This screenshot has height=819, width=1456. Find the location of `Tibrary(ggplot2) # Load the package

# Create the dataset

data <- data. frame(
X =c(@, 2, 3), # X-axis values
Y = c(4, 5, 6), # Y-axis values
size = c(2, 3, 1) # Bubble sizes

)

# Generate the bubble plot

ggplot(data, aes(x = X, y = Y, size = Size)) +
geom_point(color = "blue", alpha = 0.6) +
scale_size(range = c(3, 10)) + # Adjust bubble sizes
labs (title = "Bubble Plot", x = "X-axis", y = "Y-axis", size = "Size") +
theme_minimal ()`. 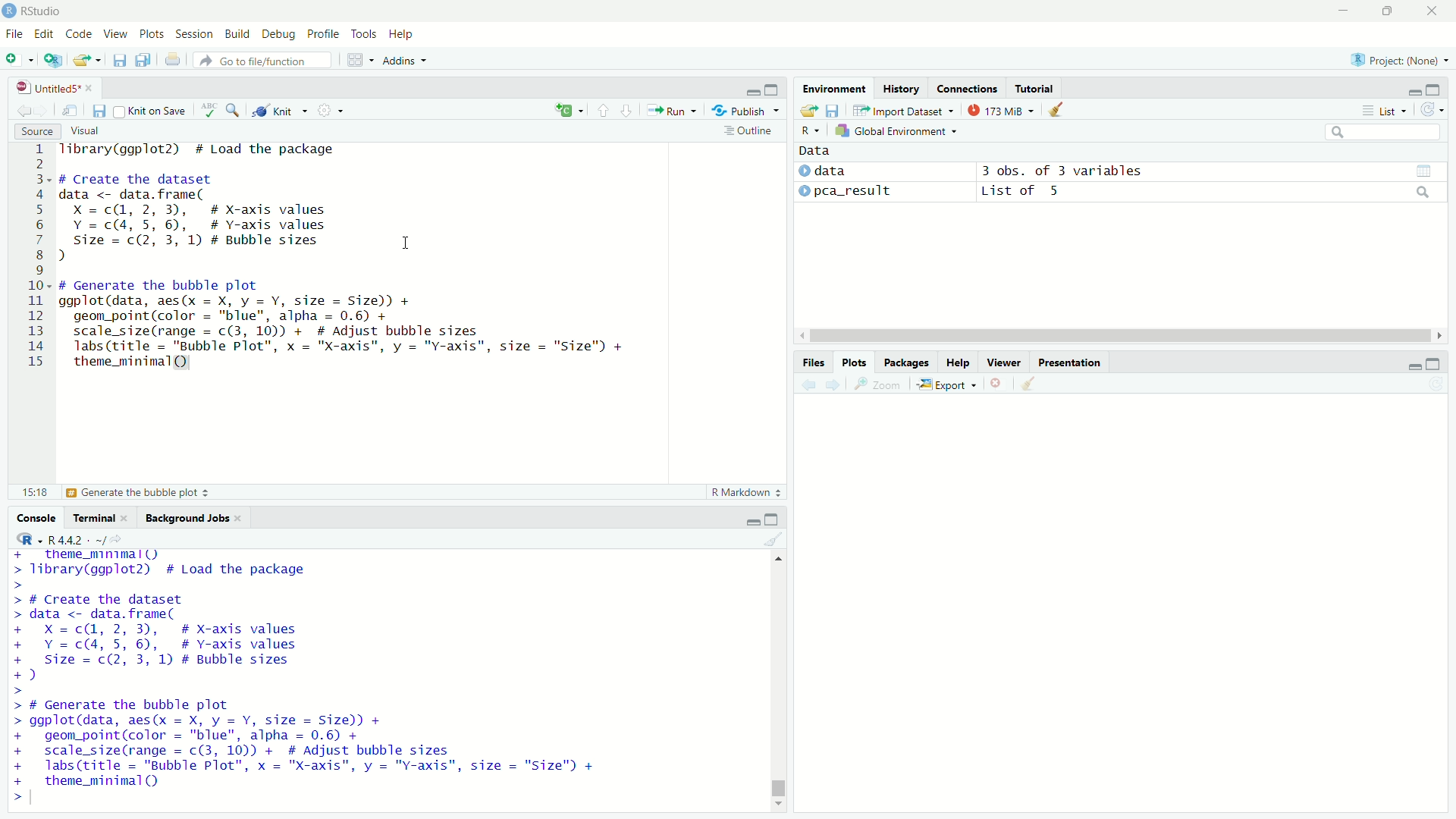

Tibrary(ggplot2) # Load the package

# Create the dataset

data <- data. frame(
X =c(@, 2, 3), # X-axis values
Y = c(4, 5, 6), # Y-axis values
size = c(2, 3, 1) # Bubble sizes

)

# Generate the bubble plot

ggplot(data, aes(x = X, y = Y, size = Size)) +
geom_point(color = "blue", alpha = 0.6) +
scale_size(range = c(3, 10)) + # Adjust bubble sizes
labs (title = "Bubble Plot", x = "X-axis", y = "Y-axis", size = "Size") +
theme_minimal () is located at coordinates (307, 677).